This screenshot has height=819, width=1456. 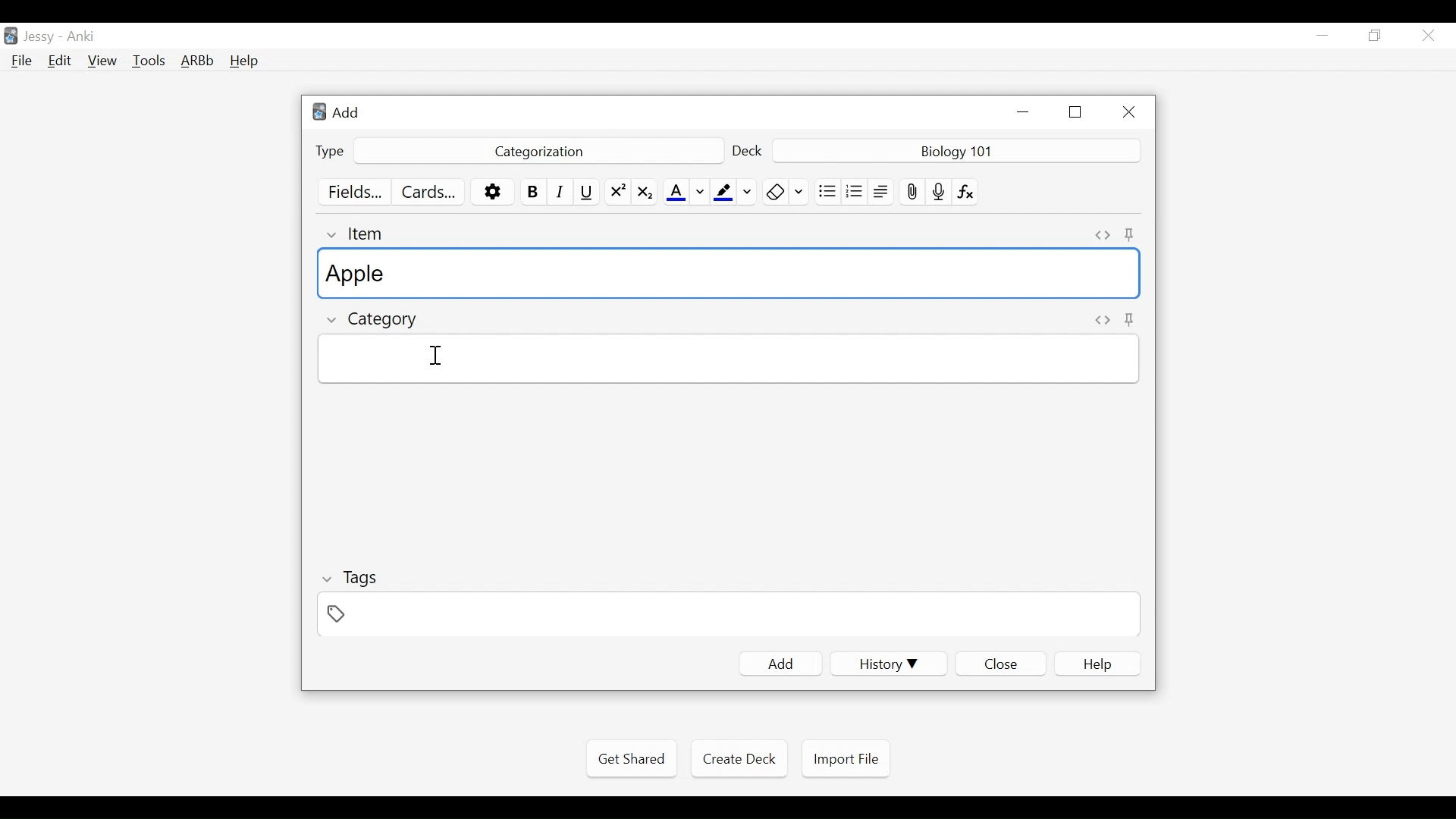 I want to click on Deck, so click(x=748, y=152).